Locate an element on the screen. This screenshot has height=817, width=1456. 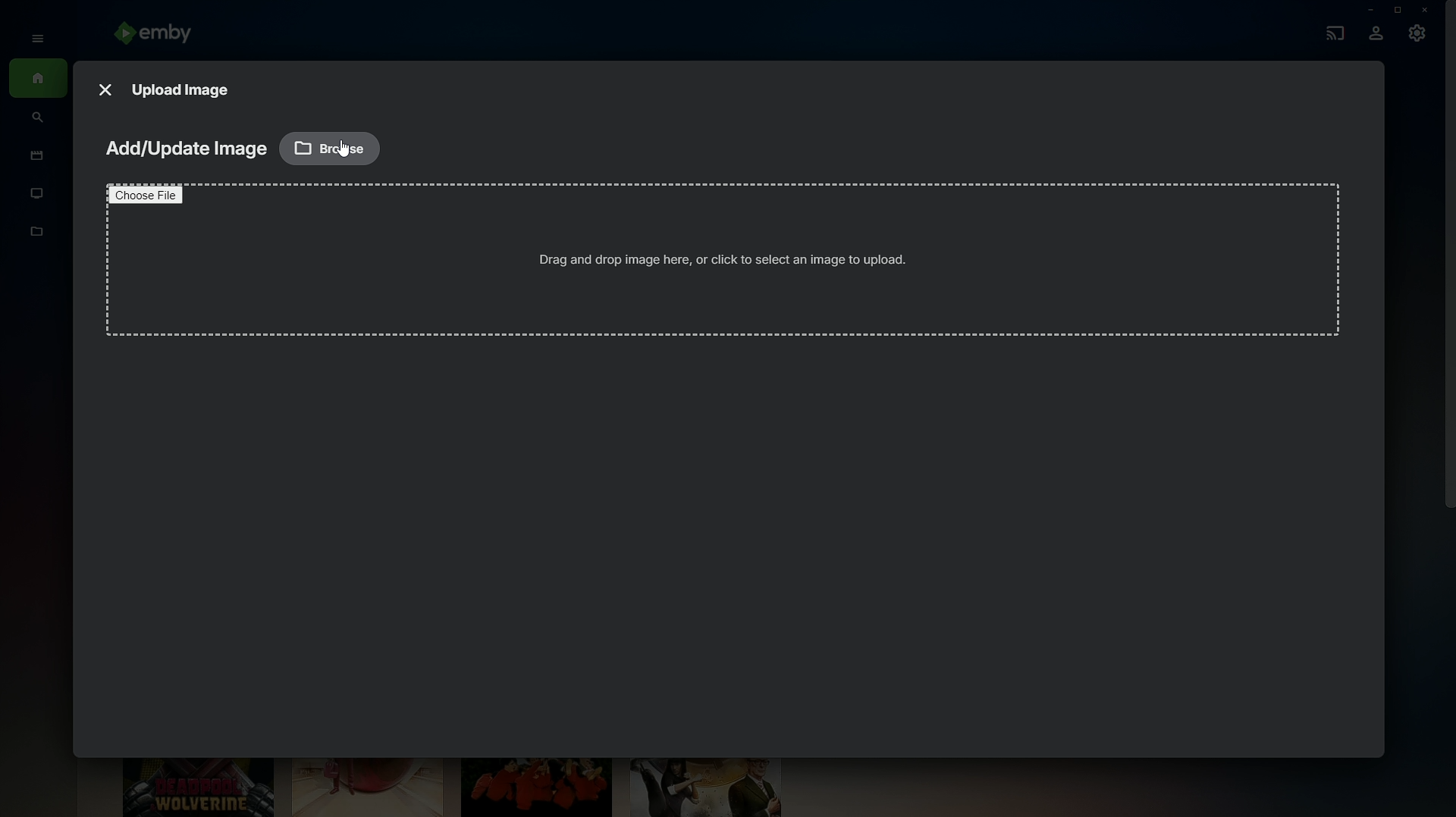
Upload Image is located at coordinates (183, 88).